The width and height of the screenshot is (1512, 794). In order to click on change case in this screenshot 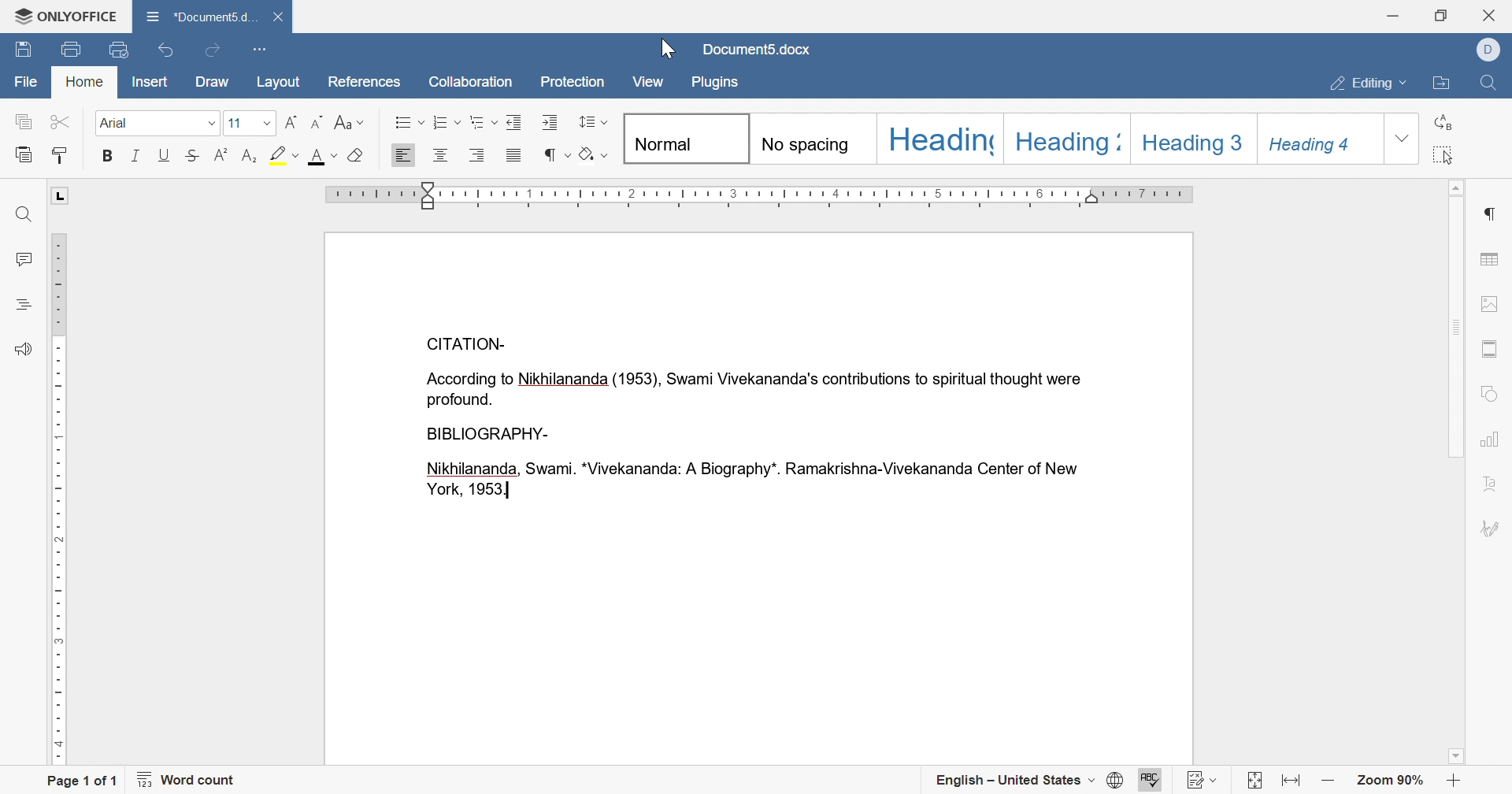, I will do `click(351, 122)`.